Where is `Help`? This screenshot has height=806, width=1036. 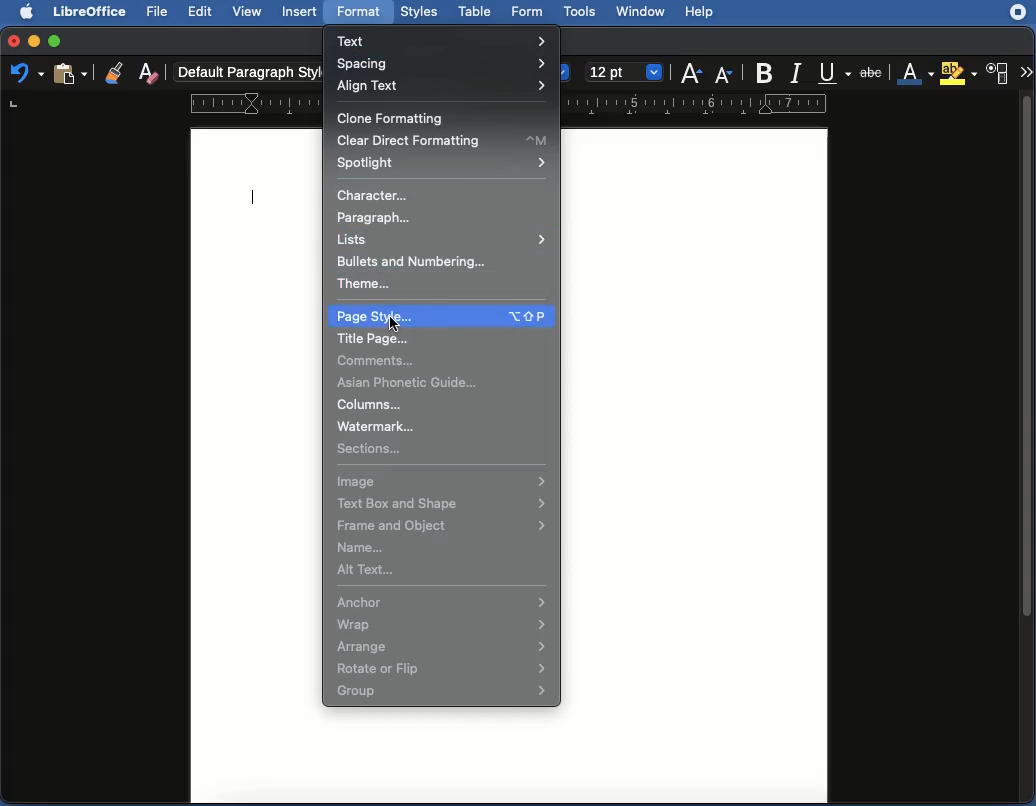
Help is located at coordinates (714, 10).